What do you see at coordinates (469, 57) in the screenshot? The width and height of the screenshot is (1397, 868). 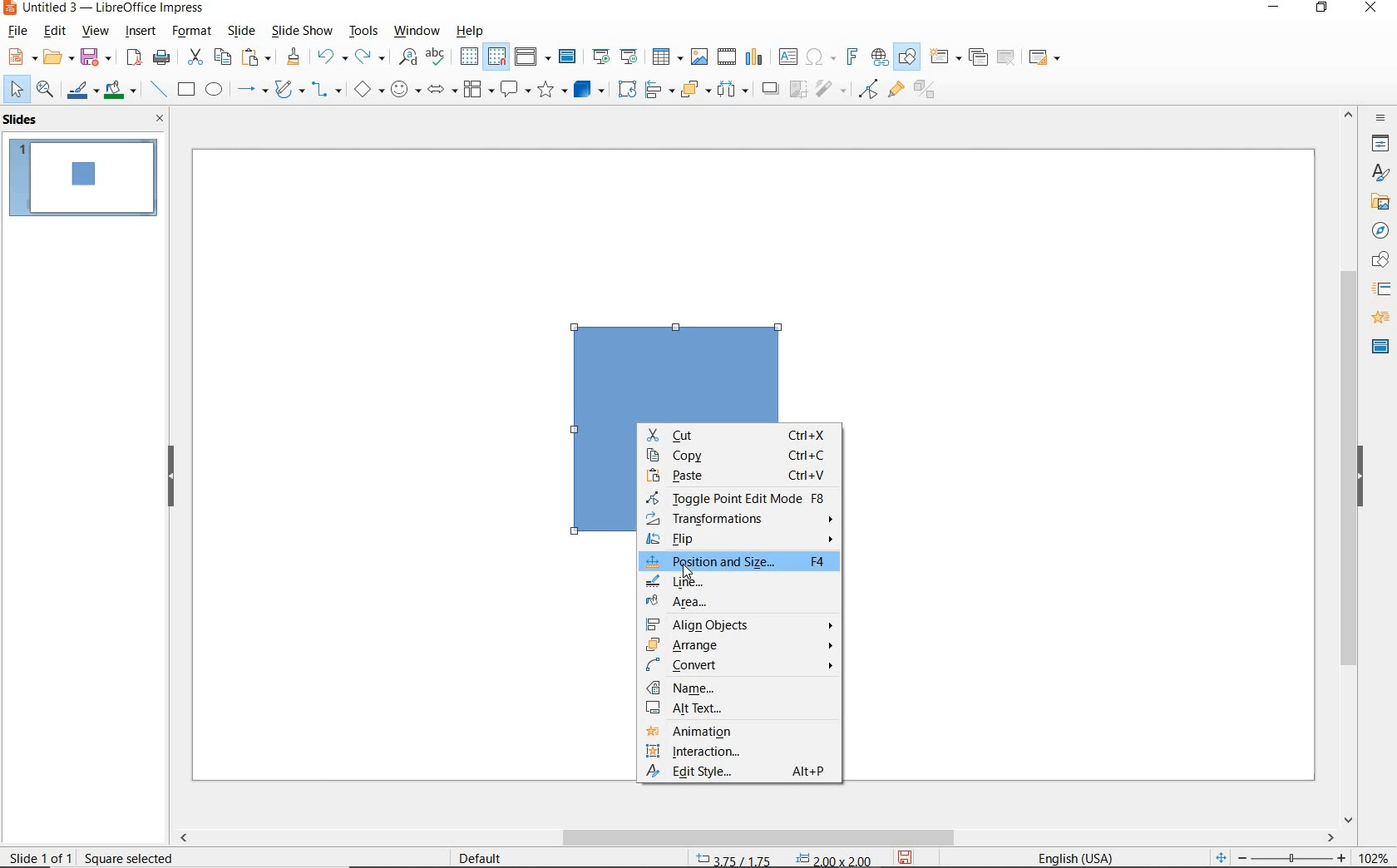 I see `display grid` at bounding box center [469, 57].